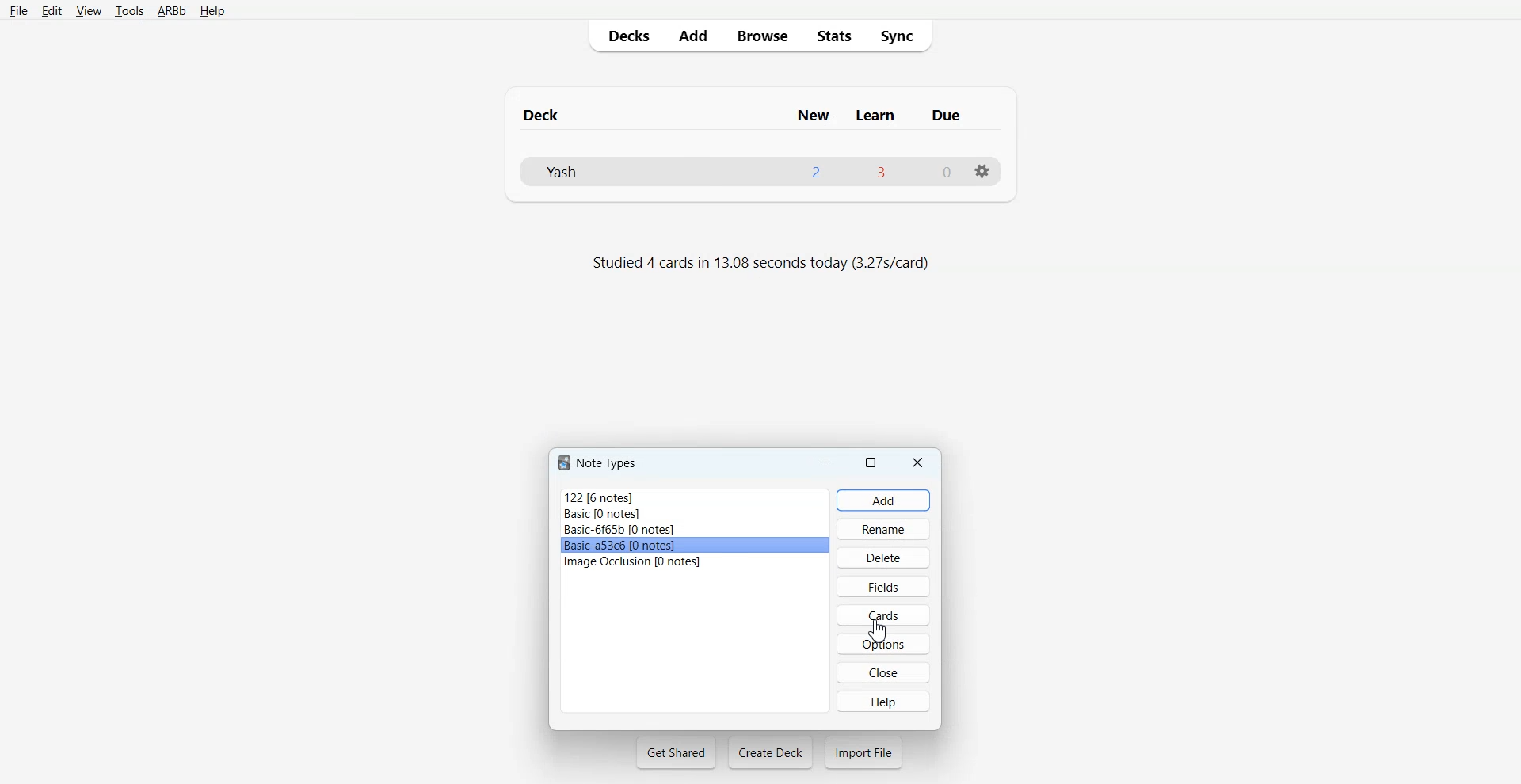 The image size is (1521, 784). I want to click on Sync, so click(902, 35).